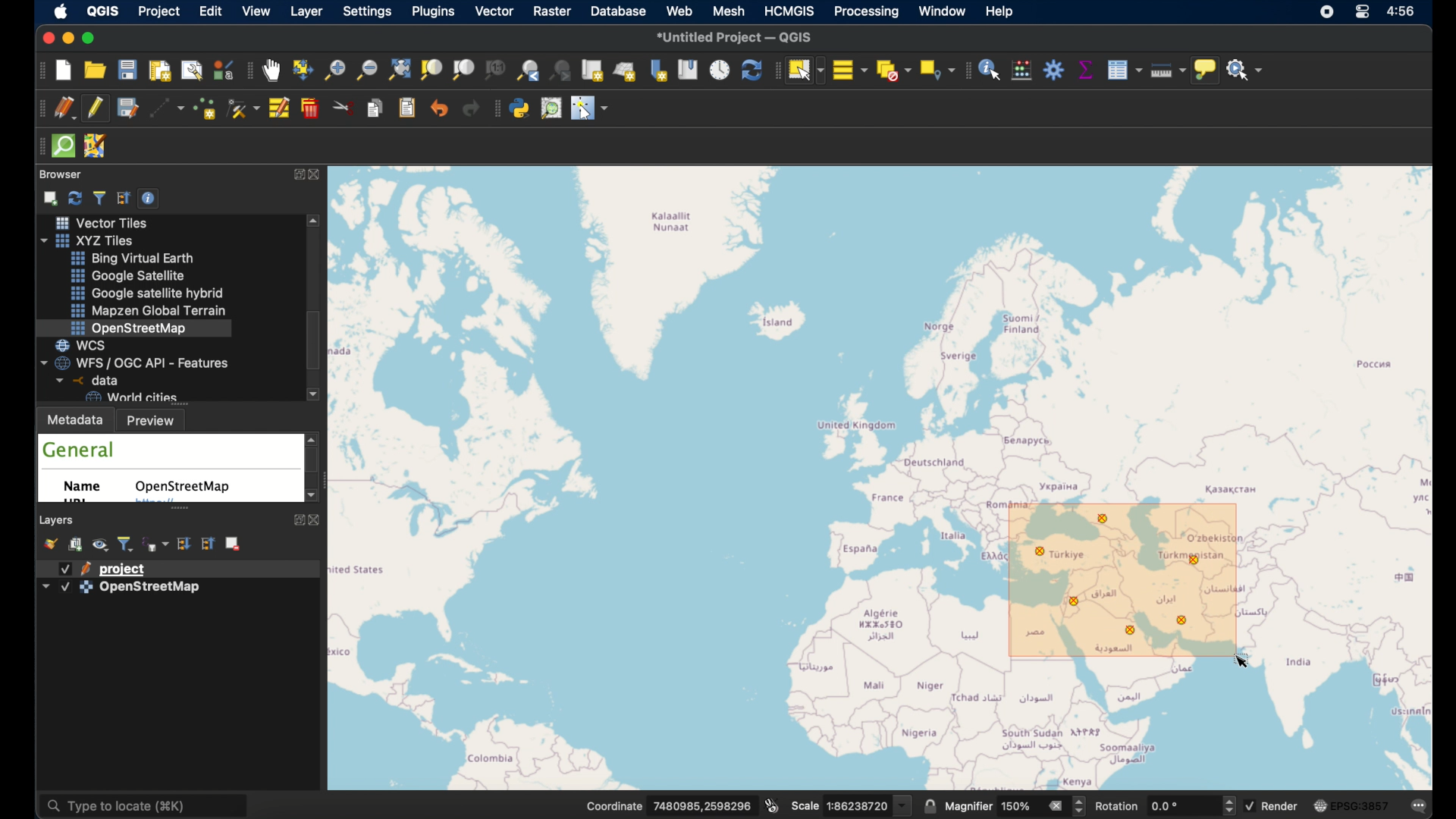 The image size is (1456, 819). What do you see at coordinates (63, 146) in the screenshot?
I see `quick osm` at bounding box center [63, 146].